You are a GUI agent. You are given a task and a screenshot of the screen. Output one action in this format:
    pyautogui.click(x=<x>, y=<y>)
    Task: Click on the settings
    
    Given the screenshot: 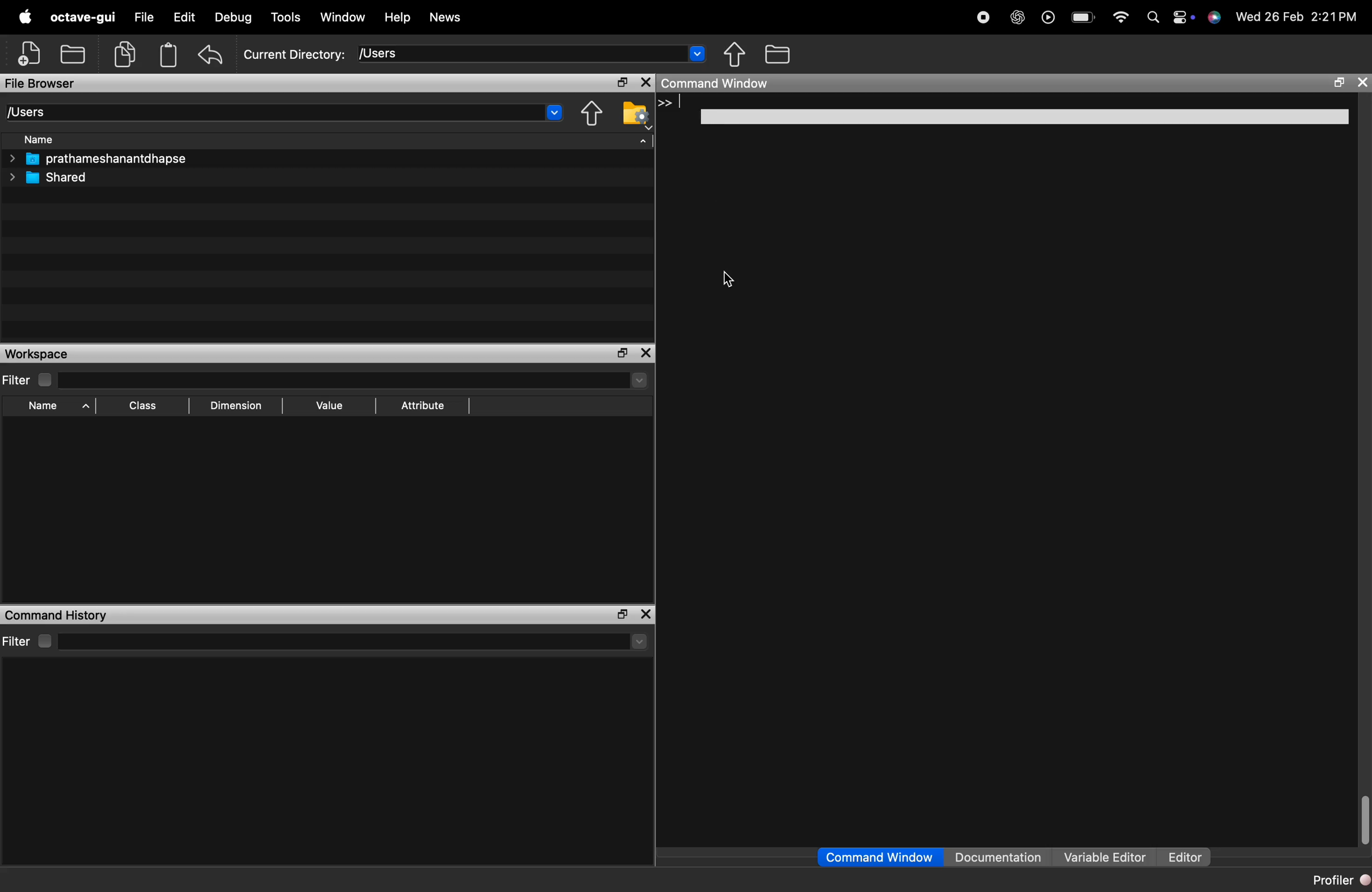 What is the action you would take?
    pyautogui.click(x=1186, y=16)
    